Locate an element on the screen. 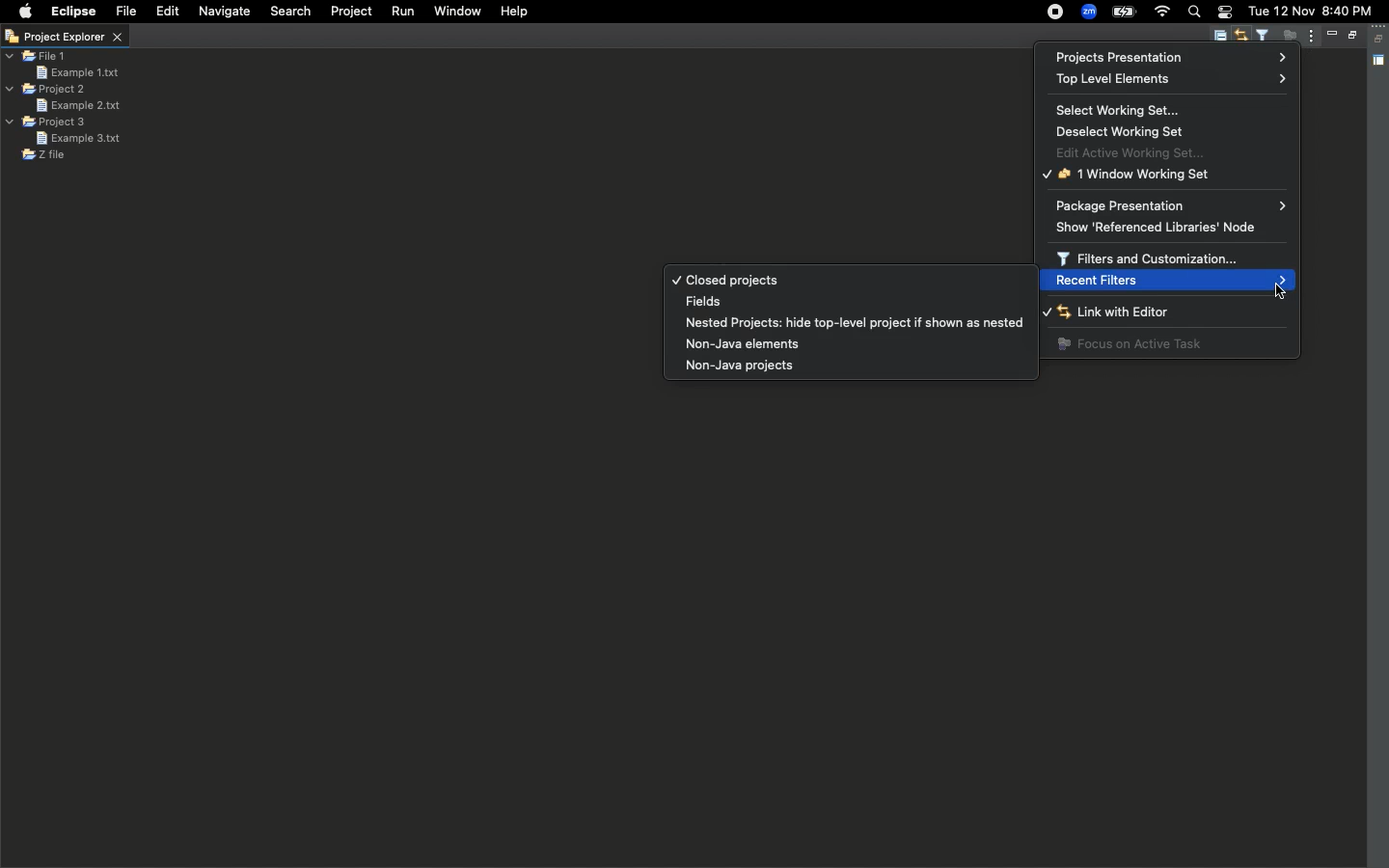 The width and height of the screenshot is (1389, 868). Charge is located at coordinates (1124, 14).